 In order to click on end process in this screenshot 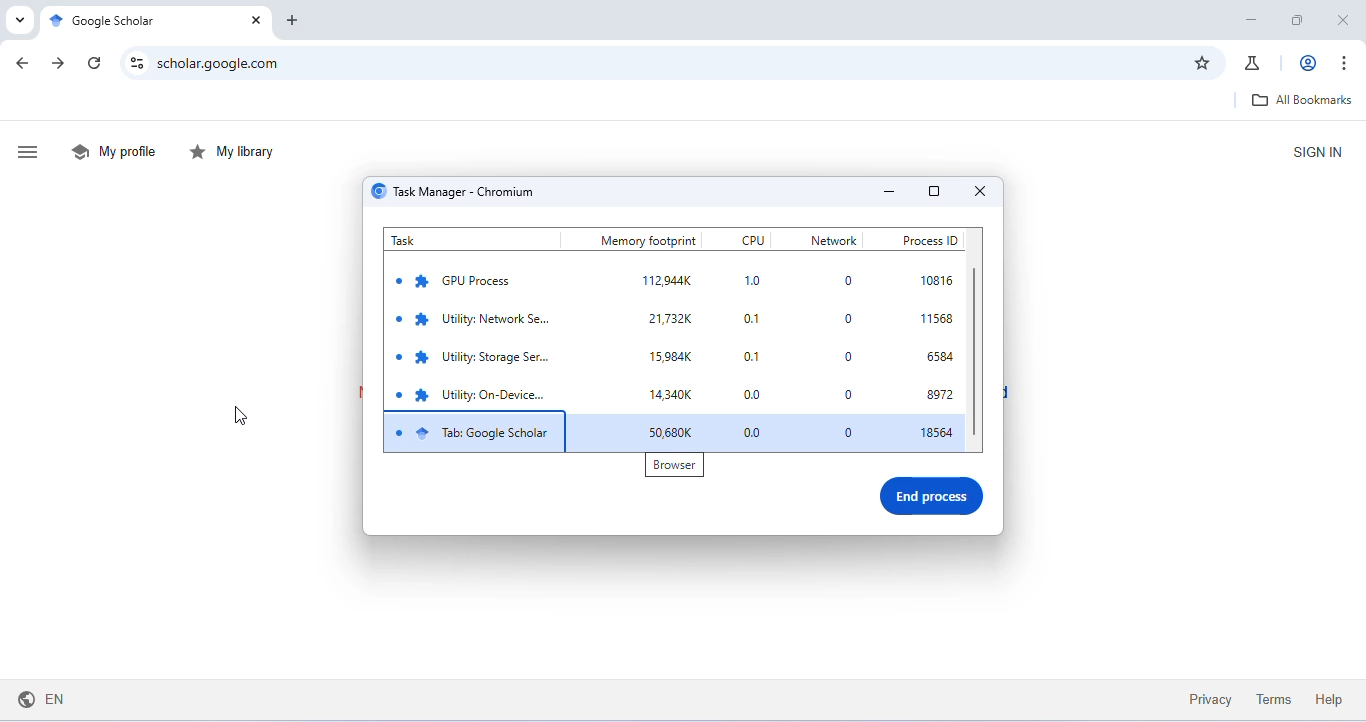, I will do `click(934, 497)`.